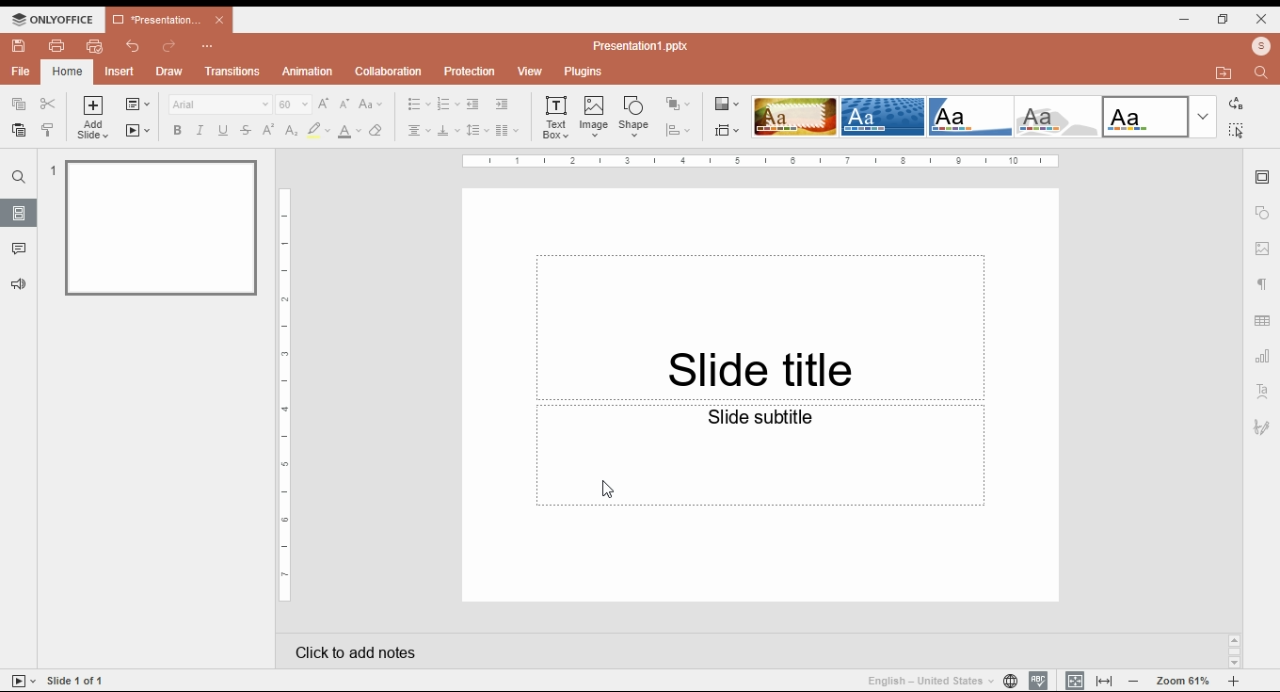 The width and height of the screenshot is (1280, 692). Describe the element at coordinates (19, 249) in the screenshot. I see `comments` at that location.